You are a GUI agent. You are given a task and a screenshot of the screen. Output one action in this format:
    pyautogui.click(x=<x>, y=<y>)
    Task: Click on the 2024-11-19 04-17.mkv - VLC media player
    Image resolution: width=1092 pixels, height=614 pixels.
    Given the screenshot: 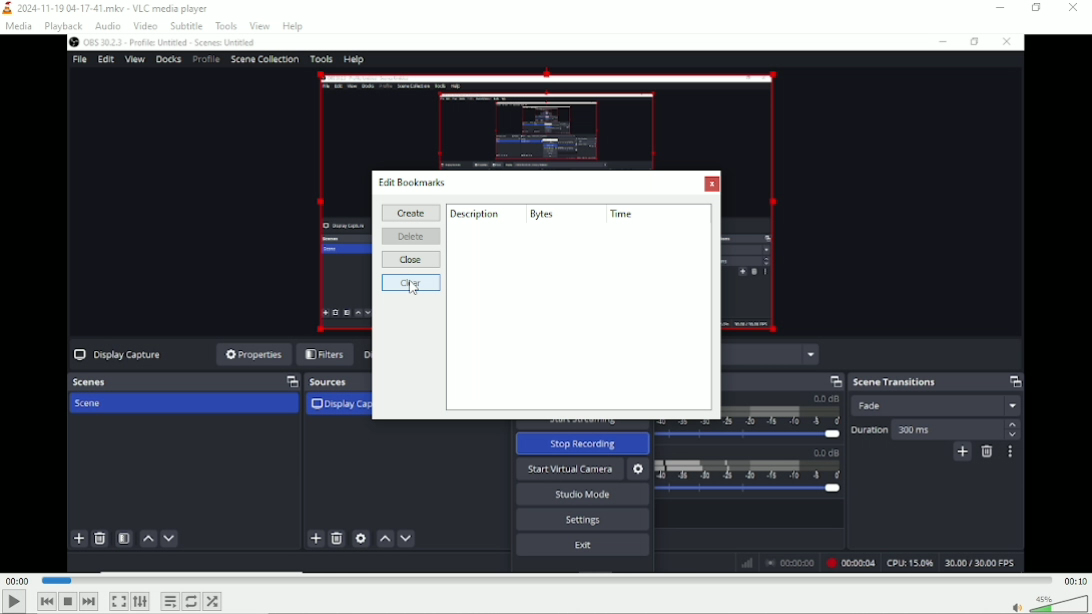 What is the action you would take?
    pyautogui.click(x=108, y=7)
    